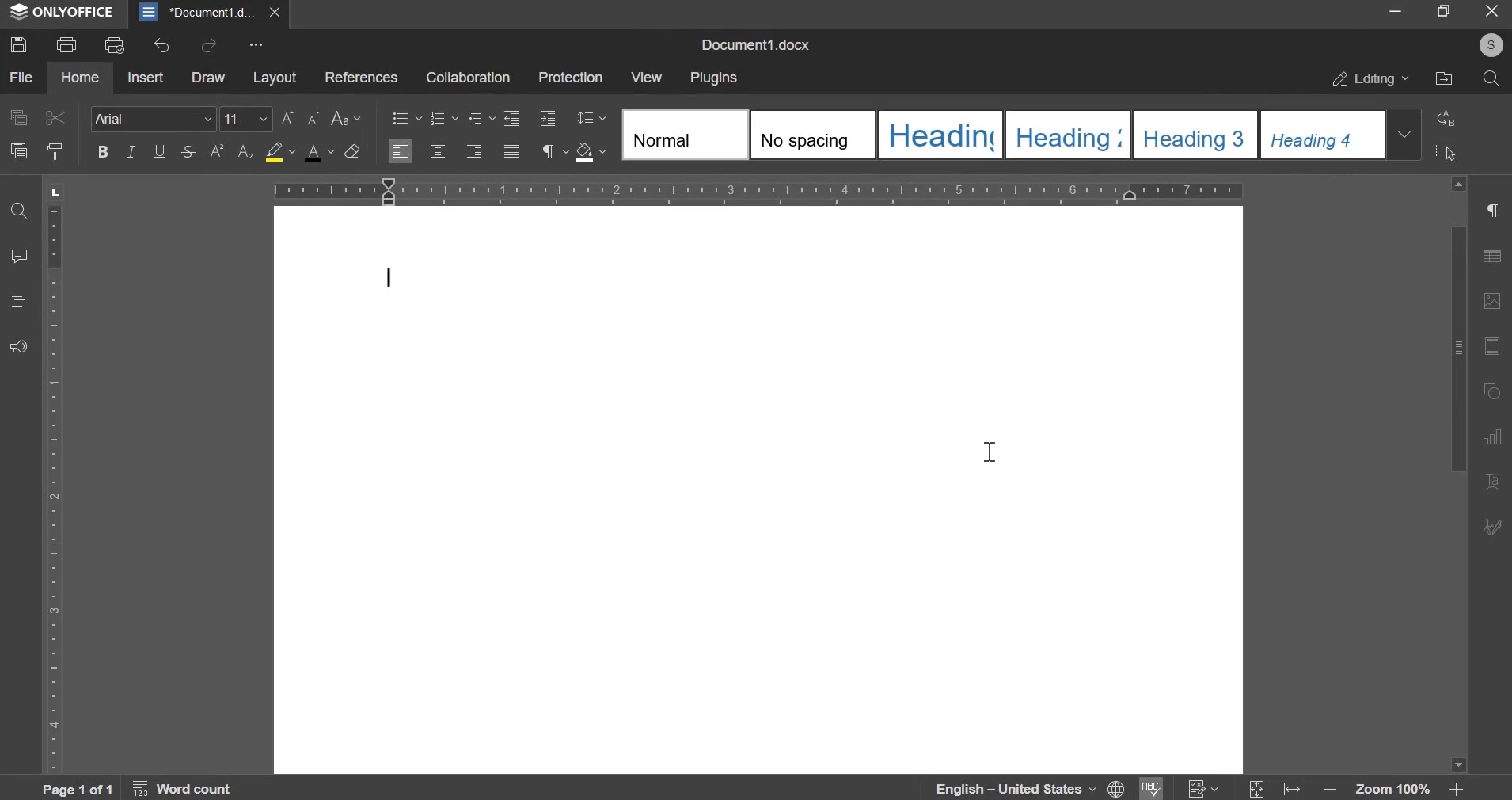 The width and height of the screenshot is (1512, 800). I want to click on Heading 3, so click(1195, 135).